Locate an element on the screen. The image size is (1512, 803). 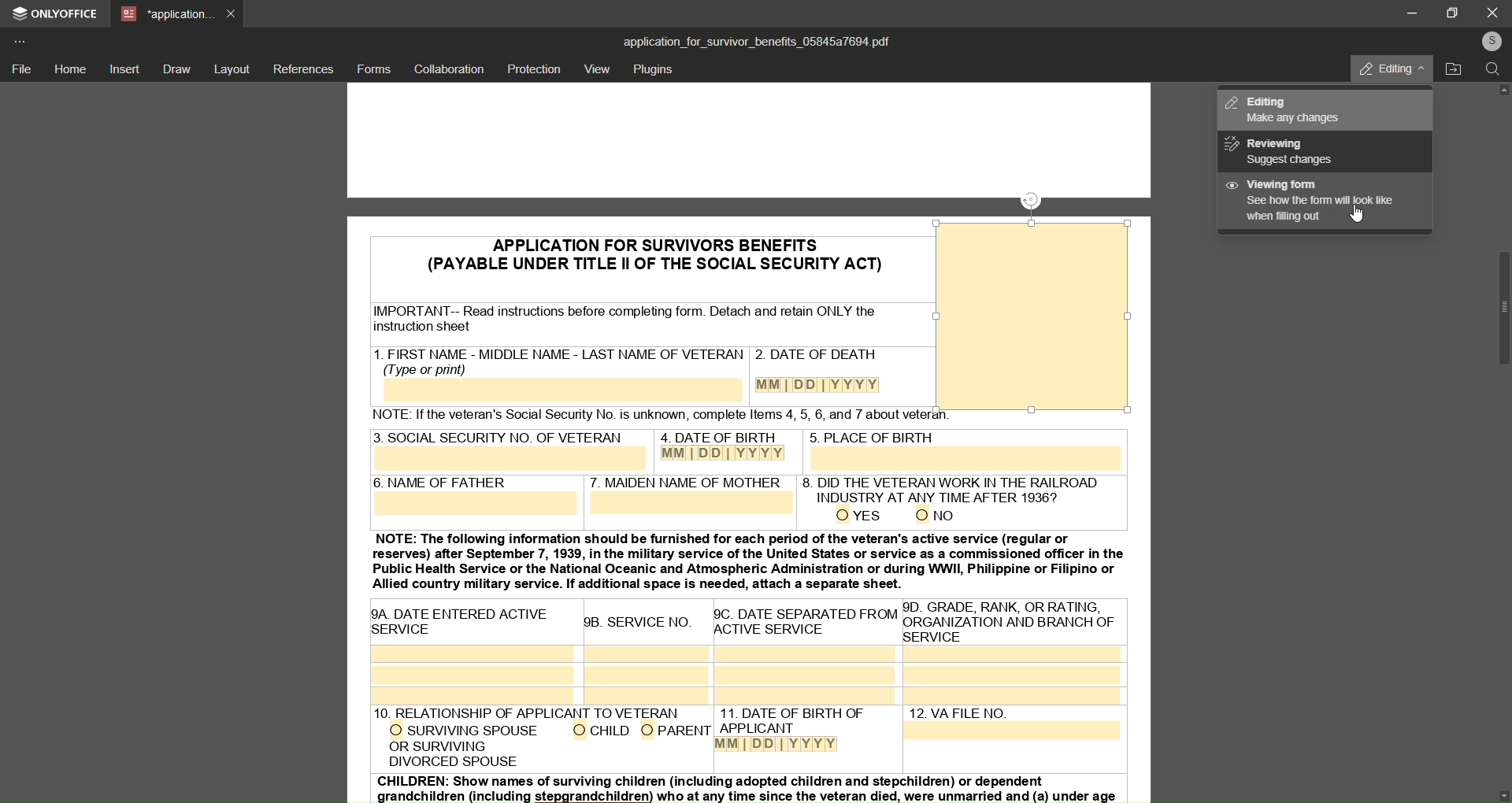
tab name is located at coordinates (166, 15).